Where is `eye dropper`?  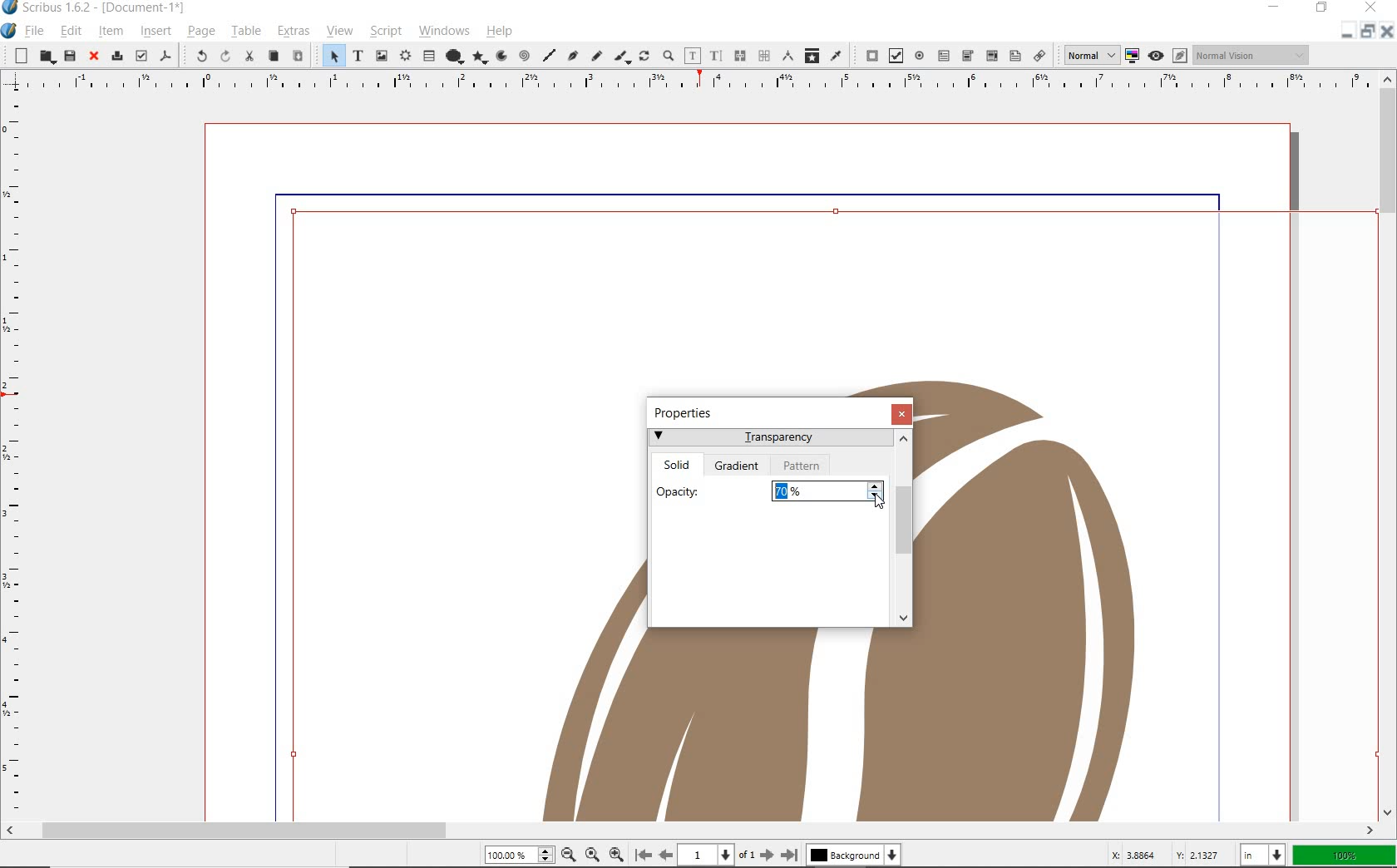
eye dropper is located at coordinates (836, 56).